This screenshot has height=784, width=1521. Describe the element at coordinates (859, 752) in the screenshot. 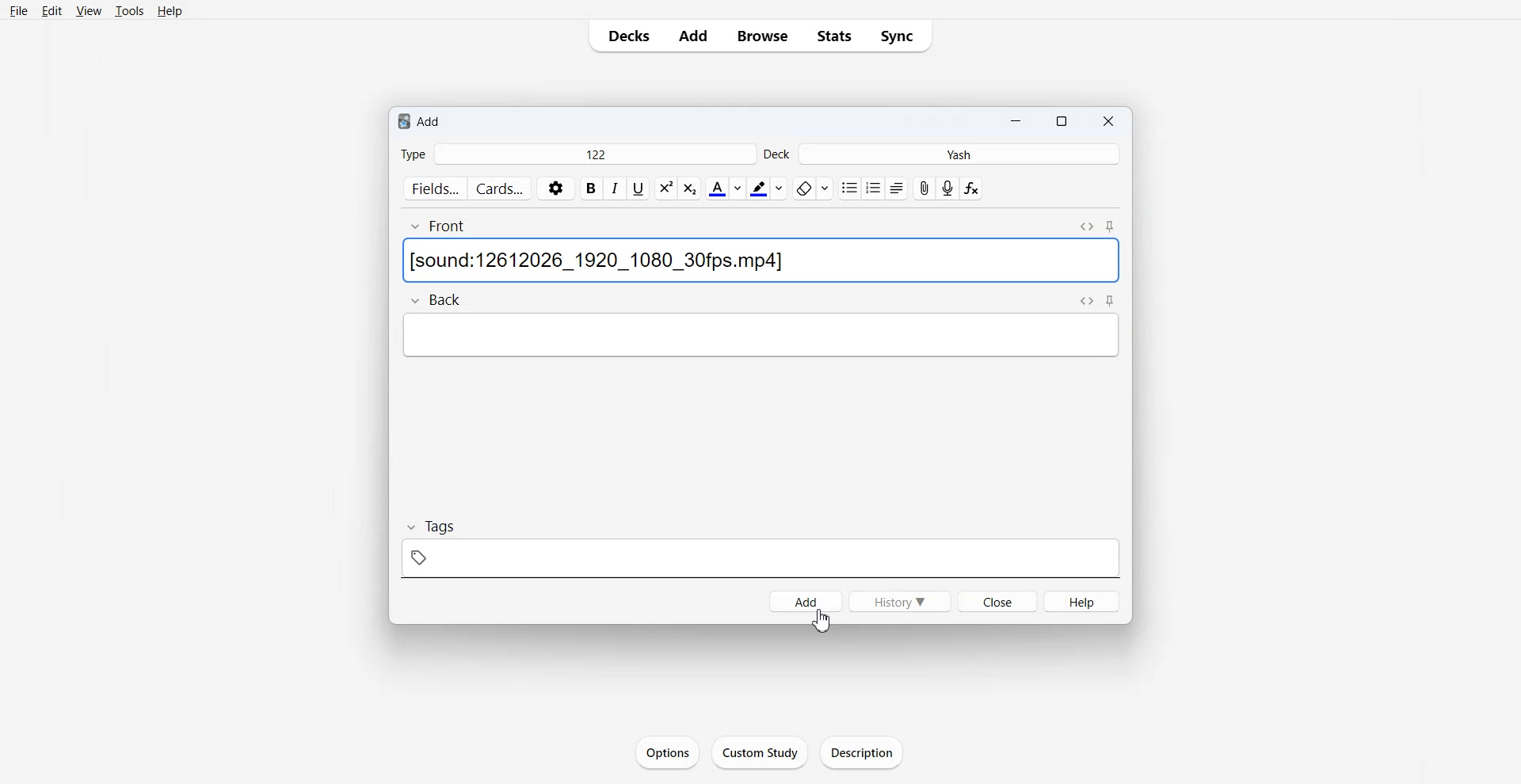

I see `Description` at that location.